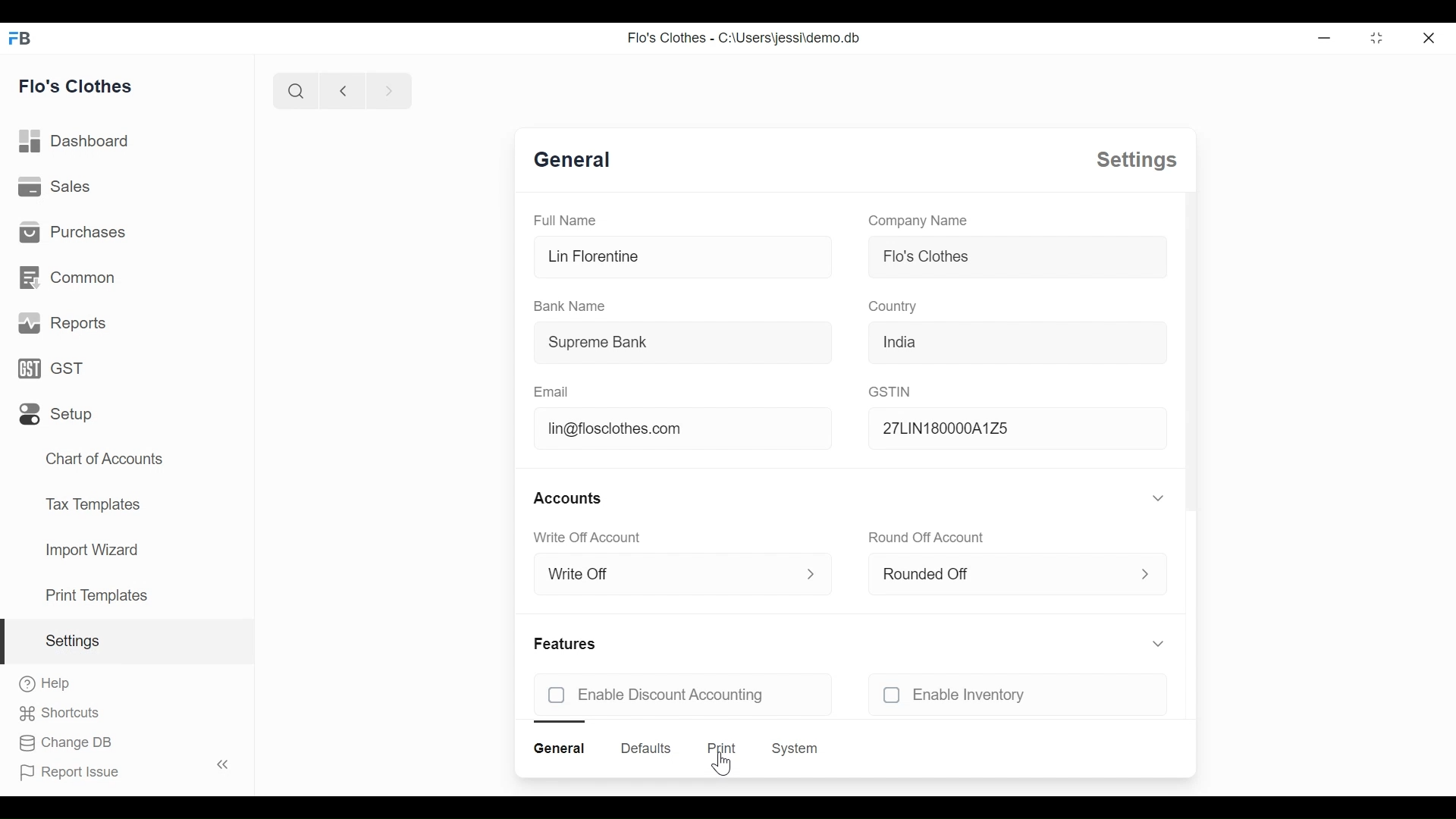  Describe the element at coordinates (573, 160) in the screenshot. I see `general` at that location.